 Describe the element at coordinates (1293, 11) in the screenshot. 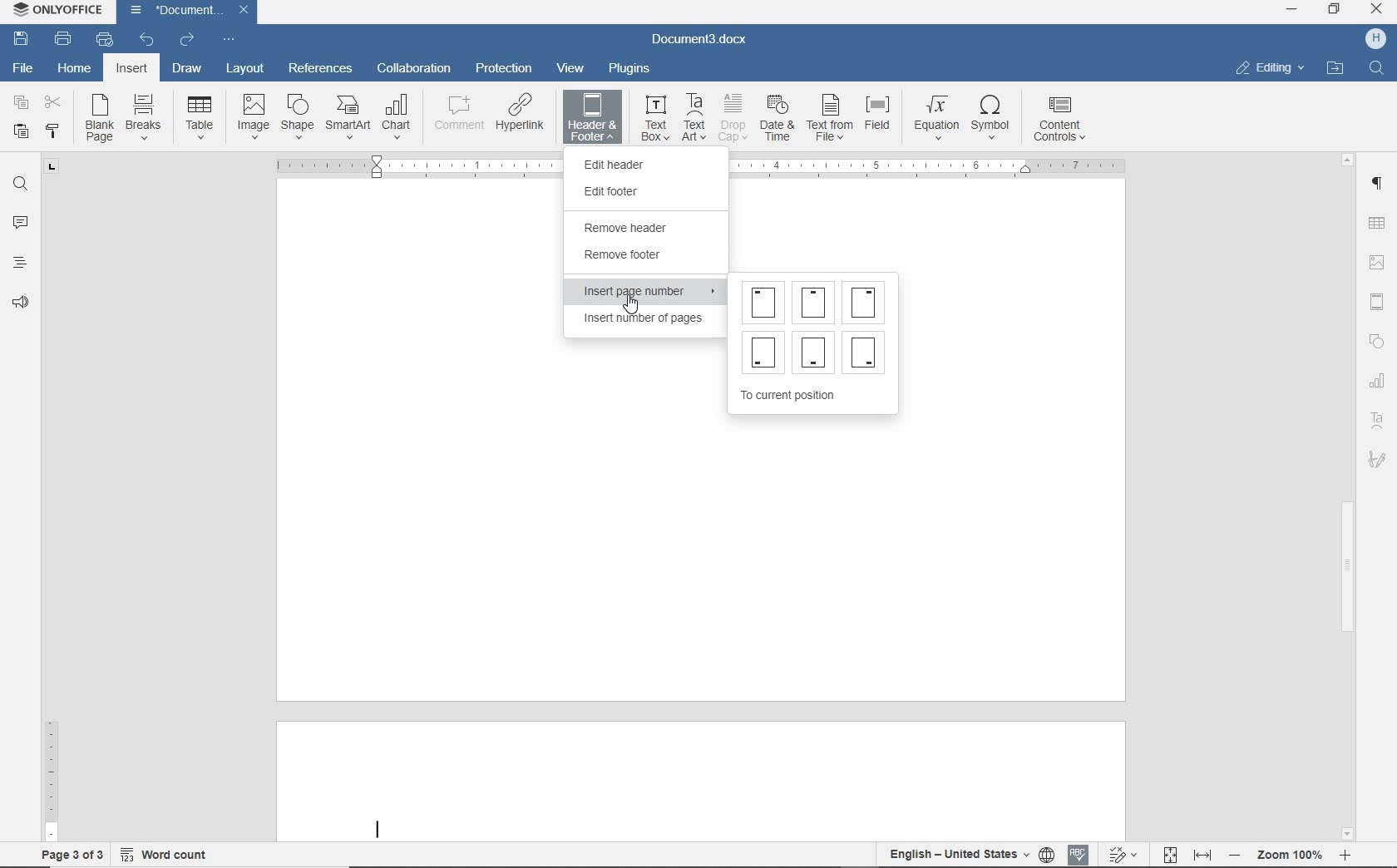

I see `MINIMIZE` at that location.